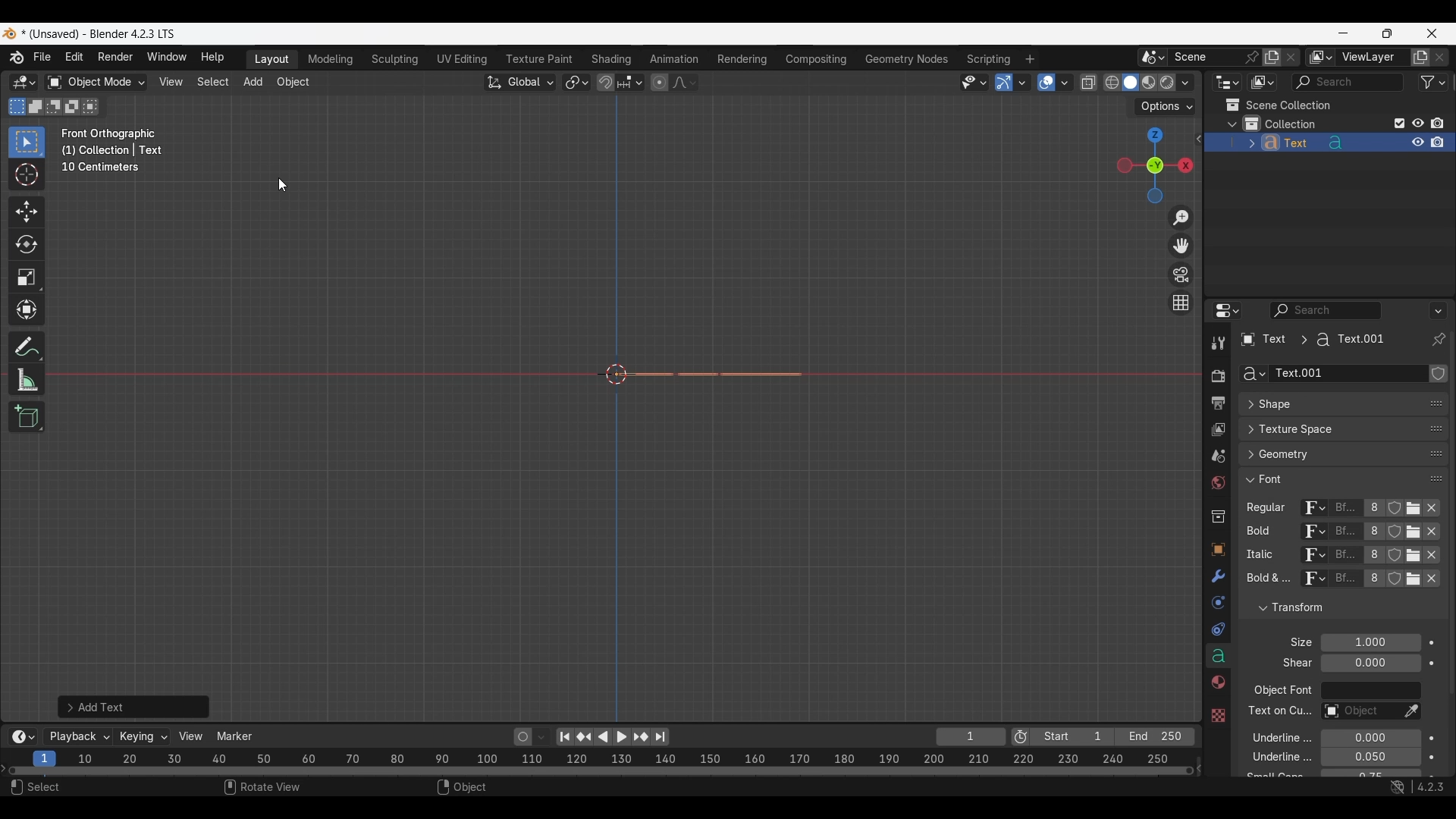  Describe the element at coordinates (971, 738) in the screenshot. I see `Current frame` at that location.